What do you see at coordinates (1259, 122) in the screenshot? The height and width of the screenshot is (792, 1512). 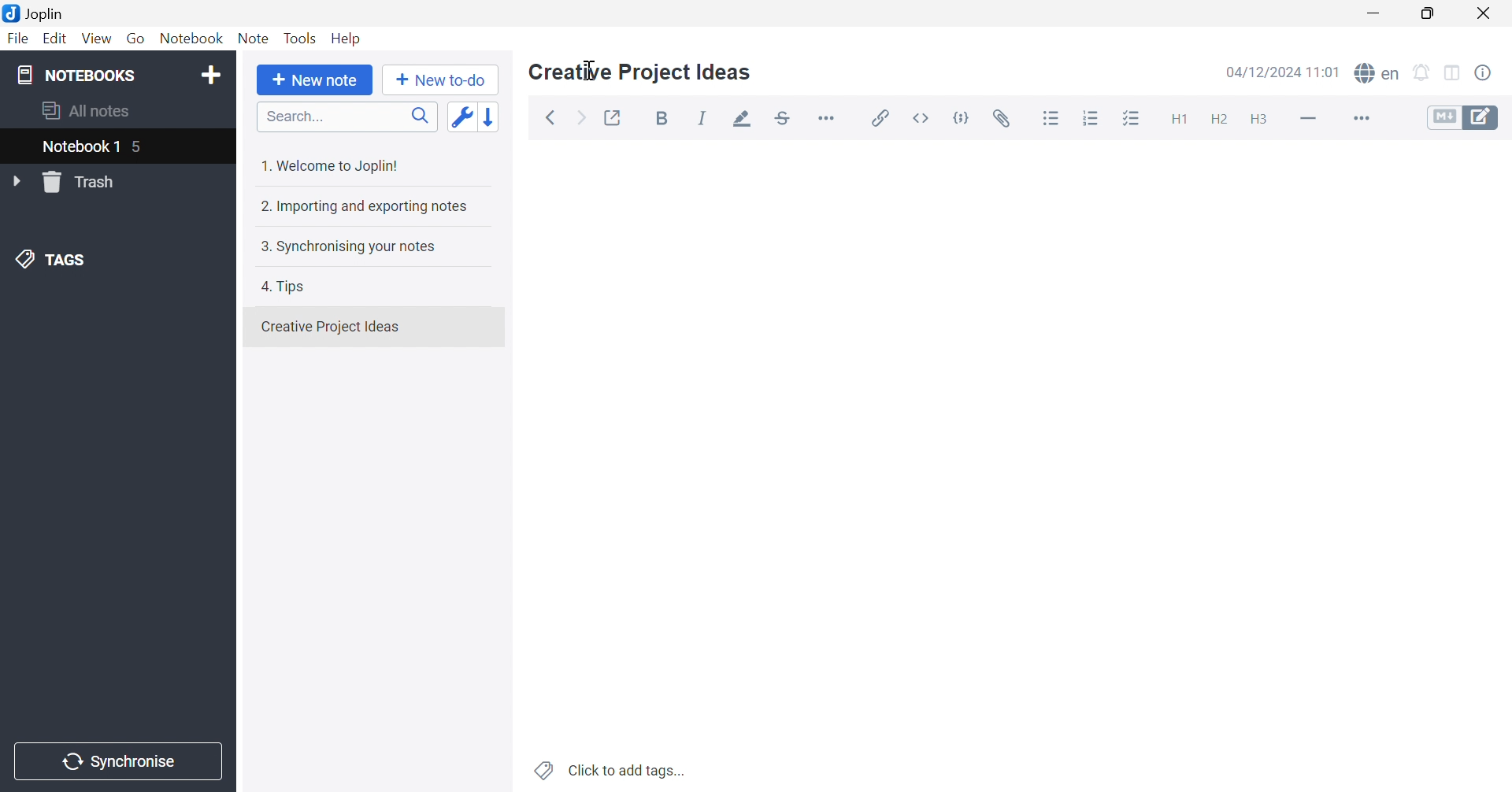 I see `Heading 3` at bounding box center [1259, 122].